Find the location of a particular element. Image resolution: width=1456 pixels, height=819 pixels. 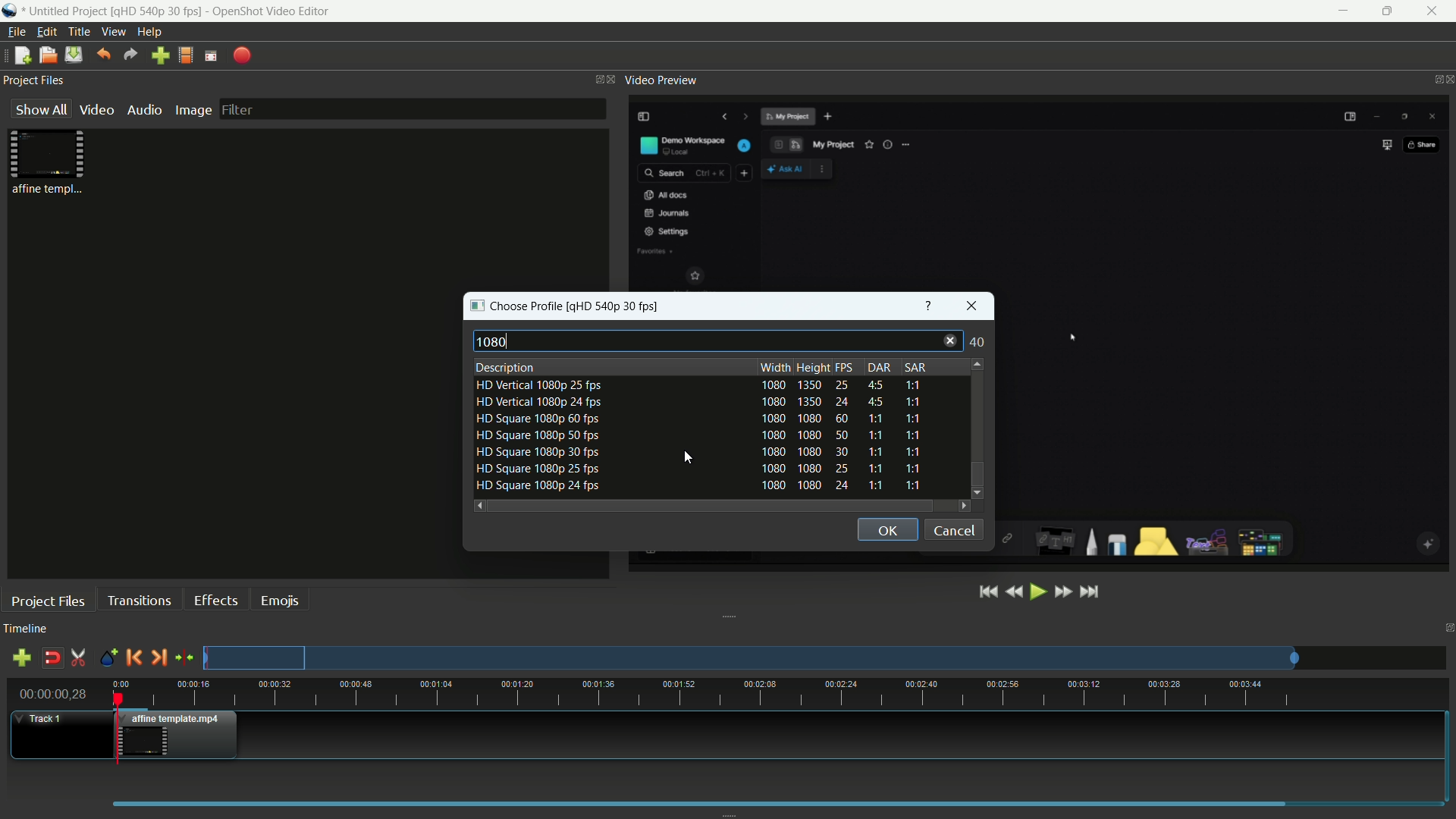

profile-3 is located at coordinates (698, 420).